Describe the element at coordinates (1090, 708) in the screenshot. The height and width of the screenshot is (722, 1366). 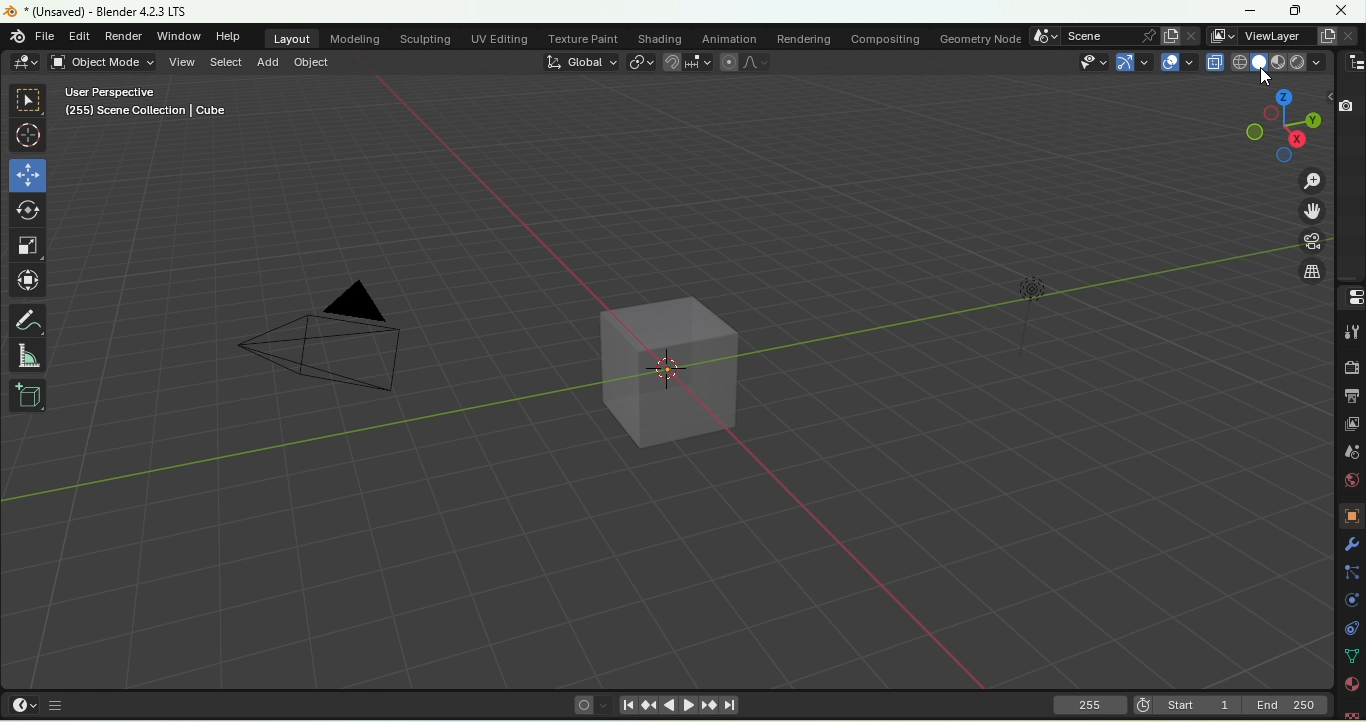
I see `Current frame` at that location.